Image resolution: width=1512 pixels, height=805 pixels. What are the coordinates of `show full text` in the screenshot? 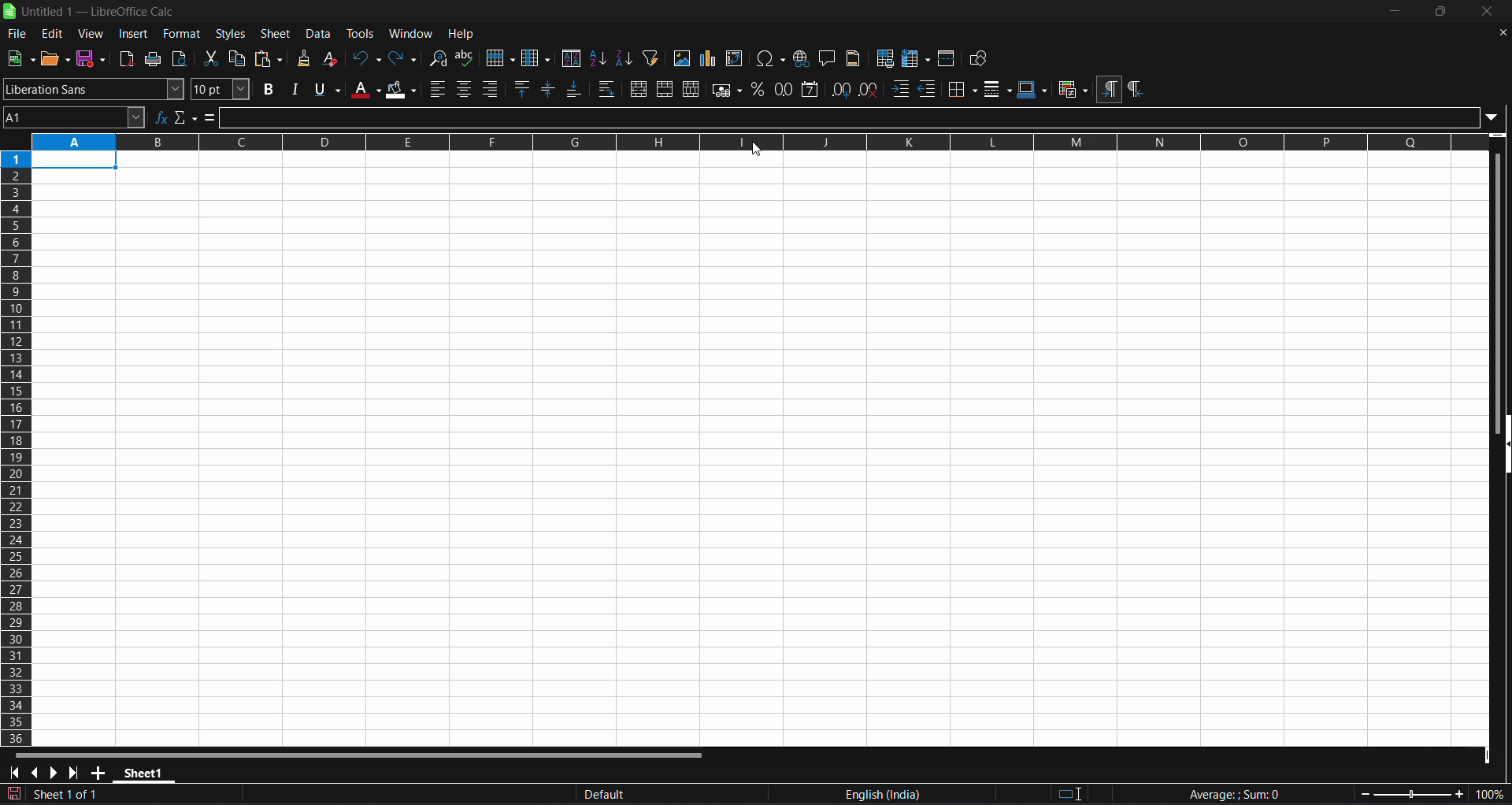 It's located at (1491, 118).